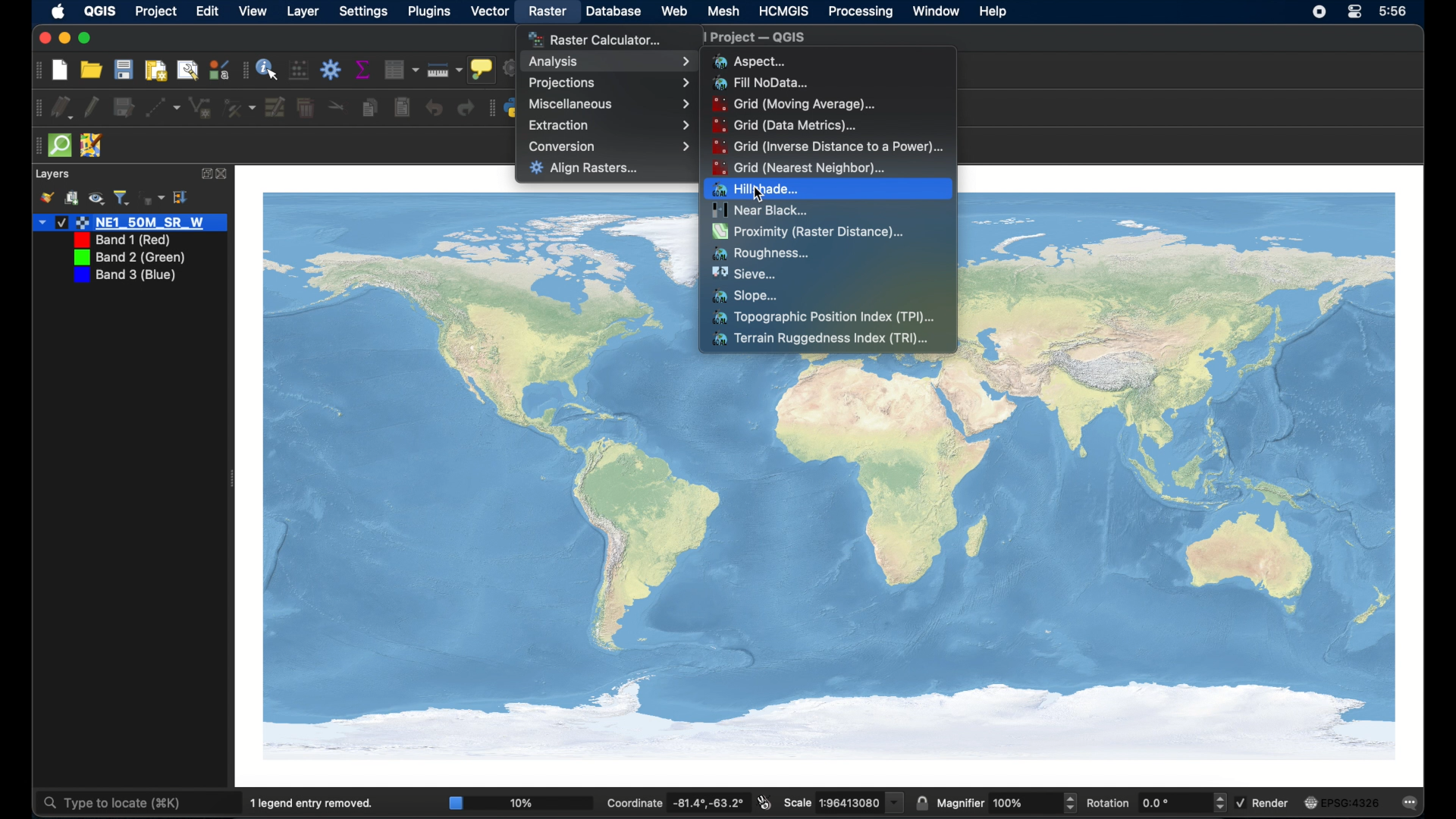  Describe the element at coordinates (810, 233) in the screenshot. I see `proximity (raster distance)` at that location.